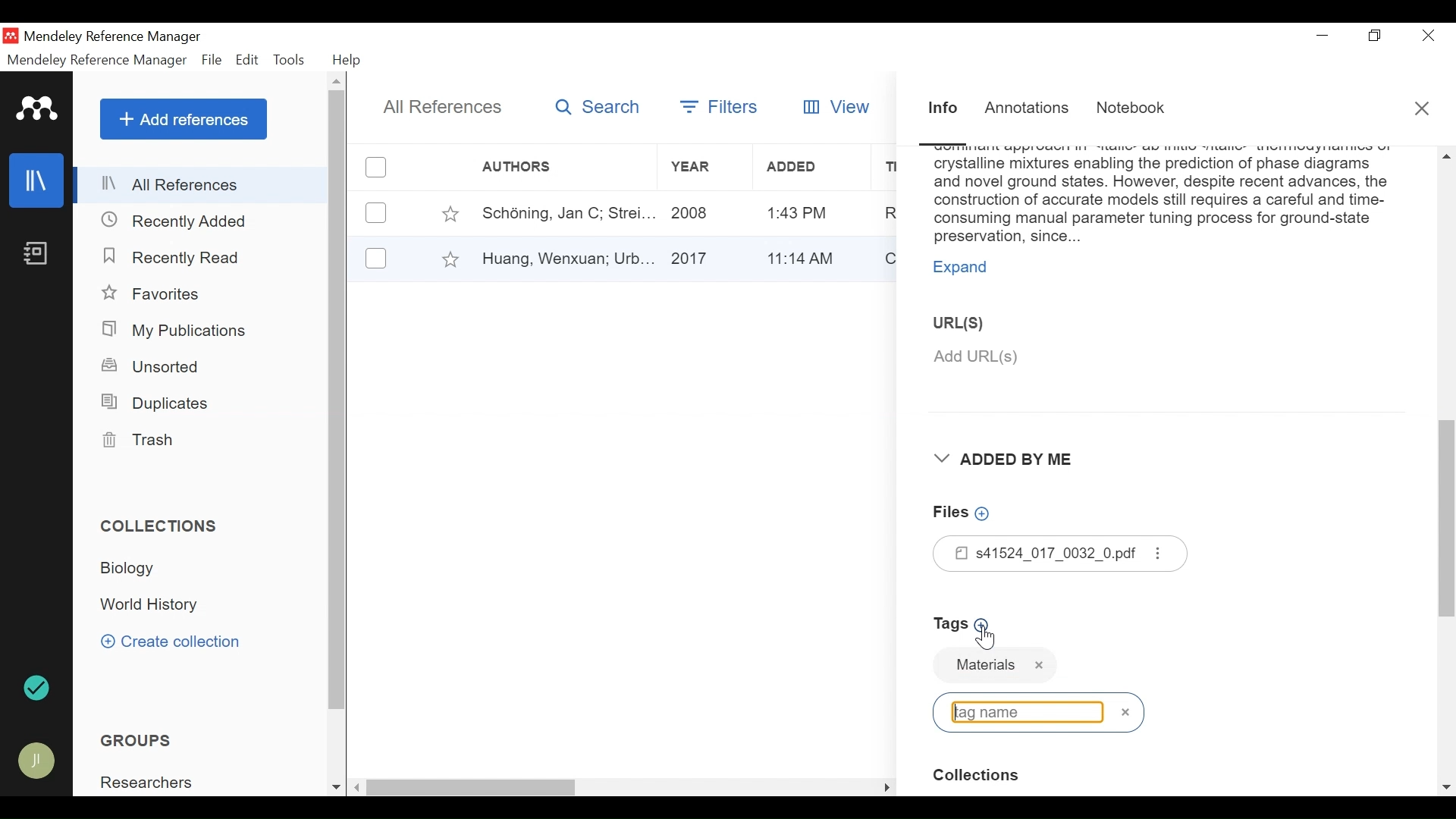  I want to click on Collections, so click(161, 526).